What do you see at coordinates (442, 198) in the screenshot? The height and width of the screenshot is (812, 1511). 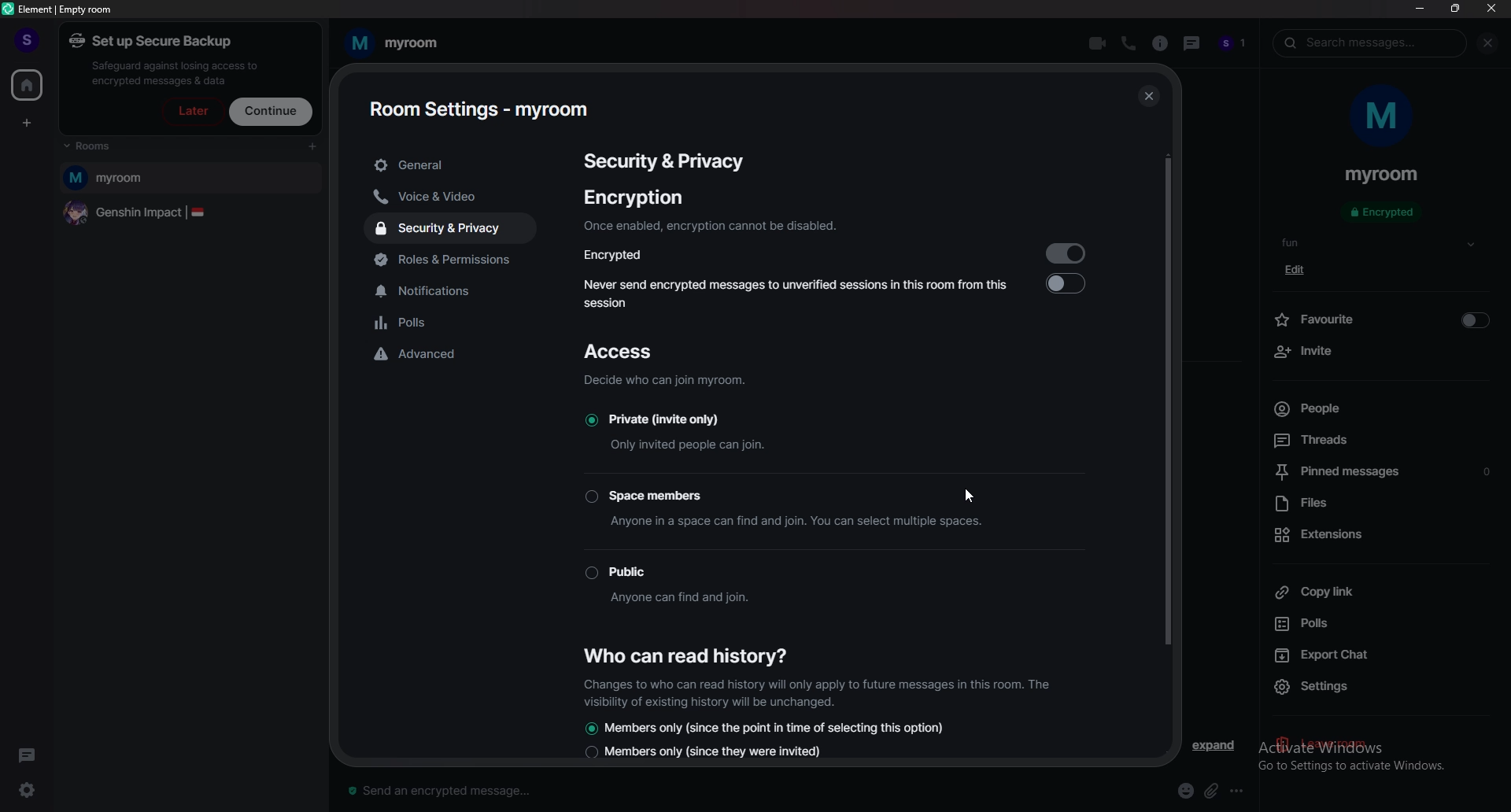 I see `voice and video` at bounding box center [442, 198].